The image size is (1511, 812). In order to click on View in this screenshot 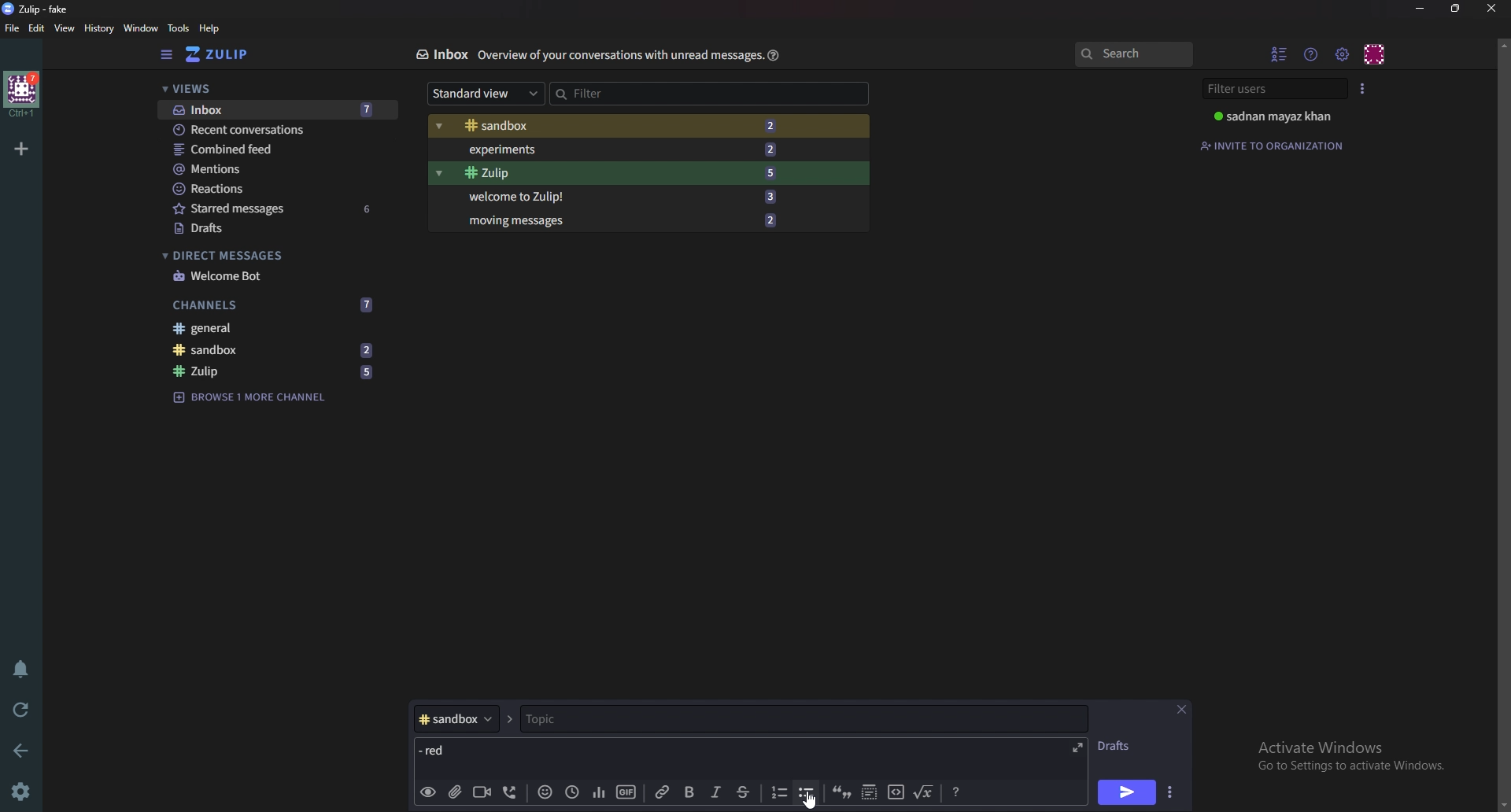, I will do `click(65, 29)`.